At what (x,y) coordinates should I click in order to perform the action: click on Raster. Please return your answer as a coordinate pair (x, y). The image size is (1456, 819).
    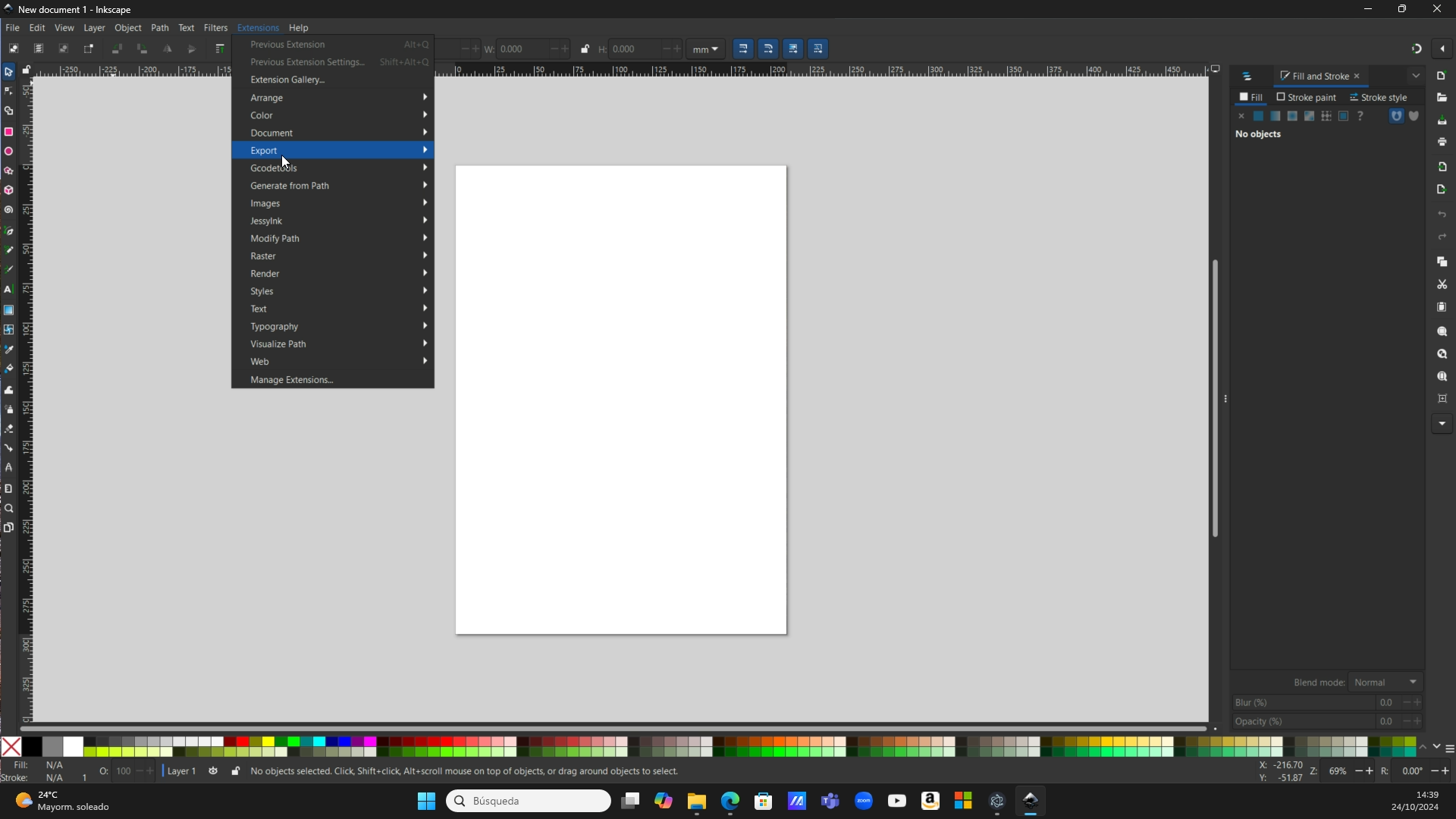
    Looking at the image, I should click on (337, 257).